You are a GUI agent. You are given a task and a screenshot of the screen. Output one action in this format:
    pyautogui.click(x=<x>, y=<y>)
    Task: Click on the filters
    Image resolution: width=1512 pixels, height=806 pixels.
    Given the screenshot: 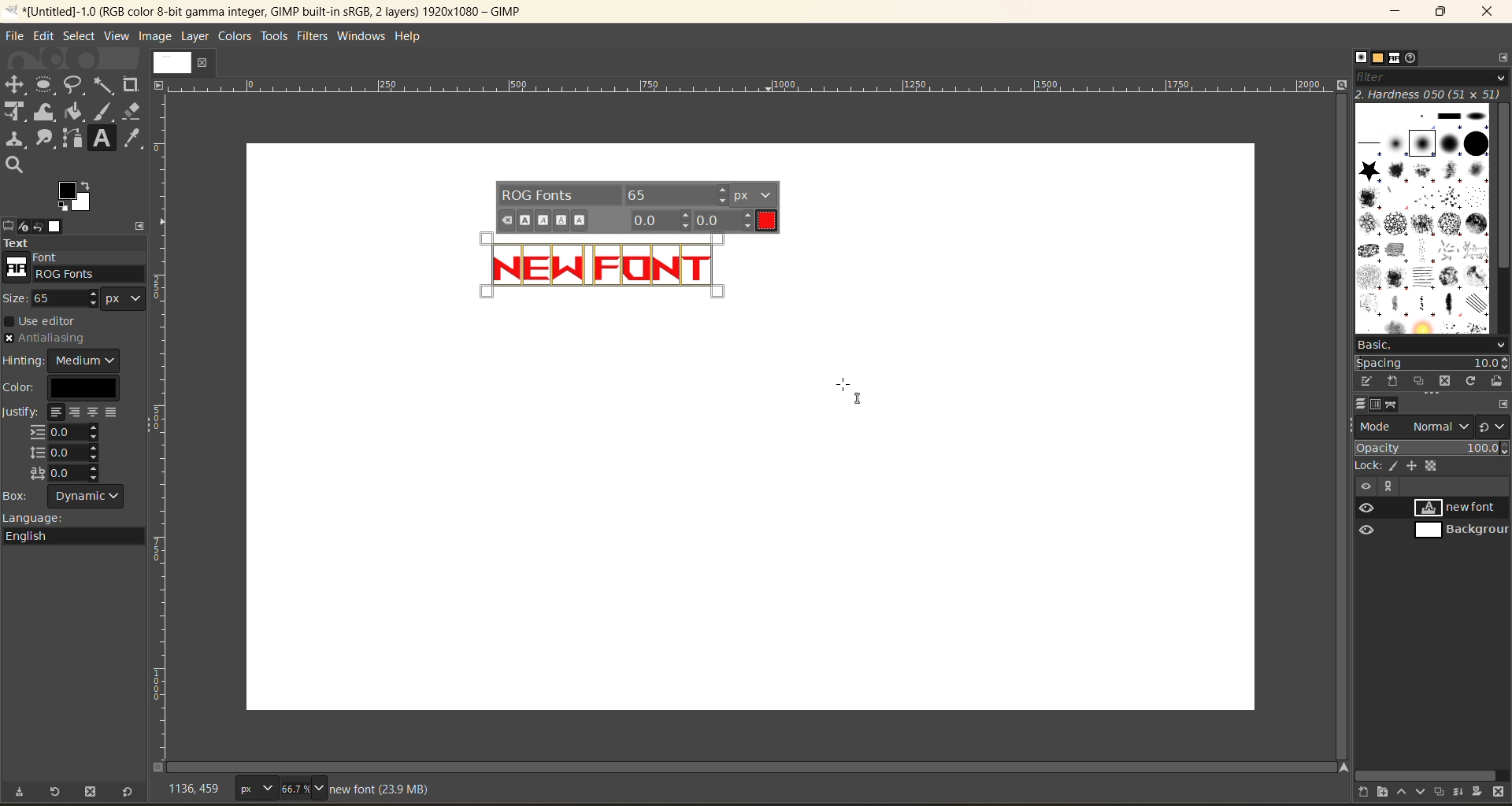 What is the action you would take?
    pyautogui.click(x=313, y=39)
    